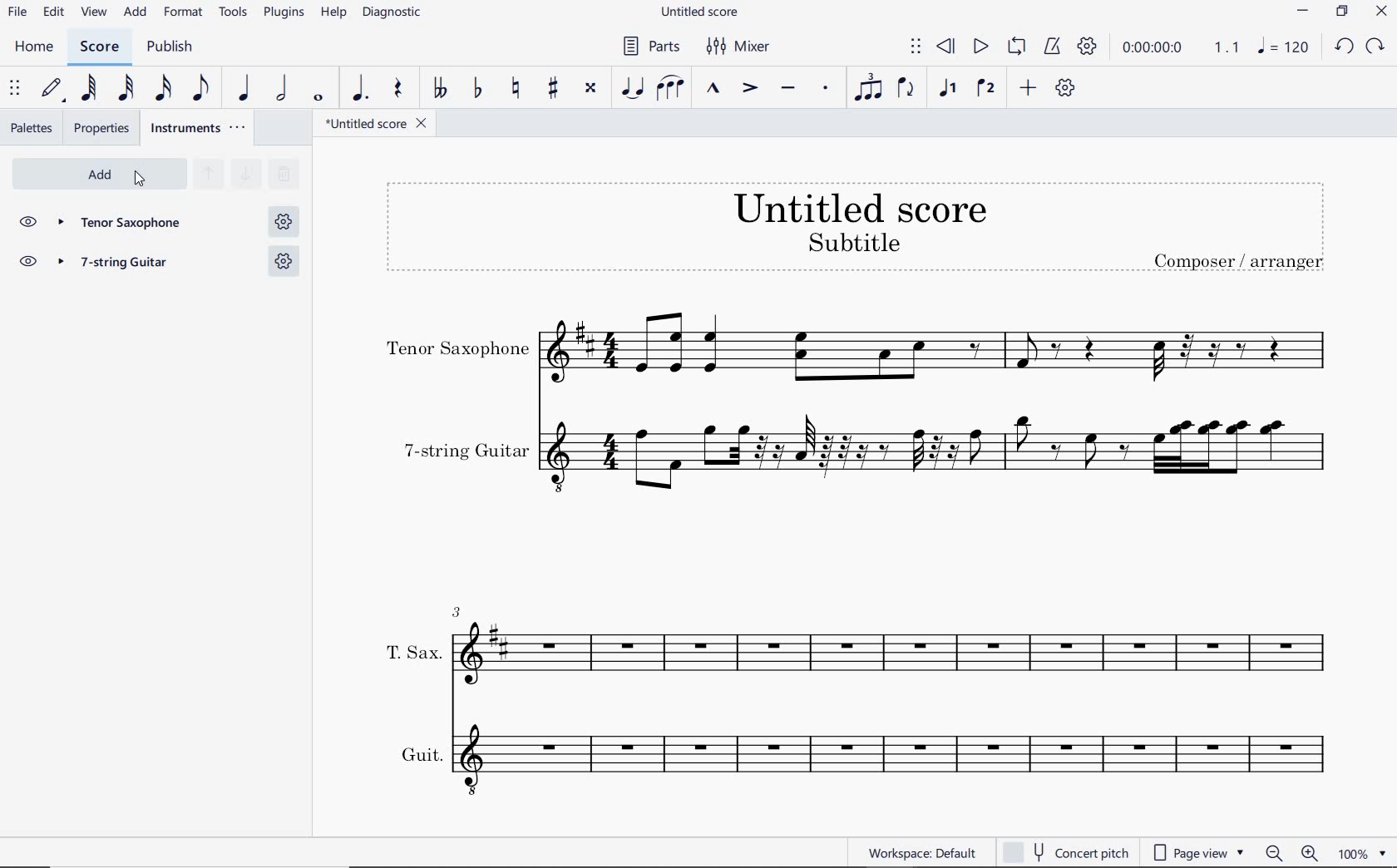  What do you see at coordinates (866, 455) in the screenshot?
I see `INSTRUMENT: 7-STRING GUITAR` at bounding box center [866, 455].